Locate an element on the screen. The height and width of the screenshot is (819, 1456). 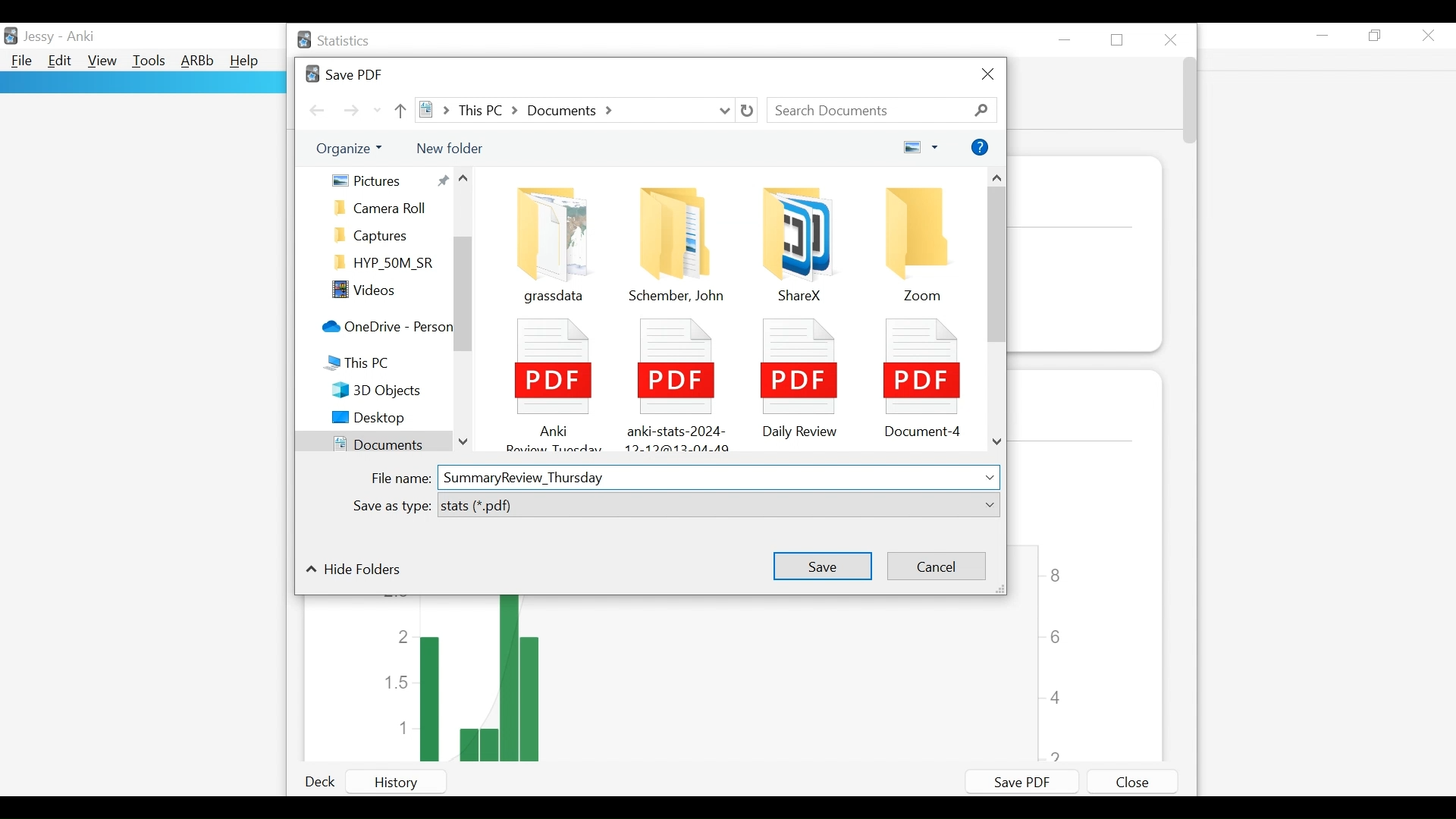
Organize is located at coordinates (353, 149).